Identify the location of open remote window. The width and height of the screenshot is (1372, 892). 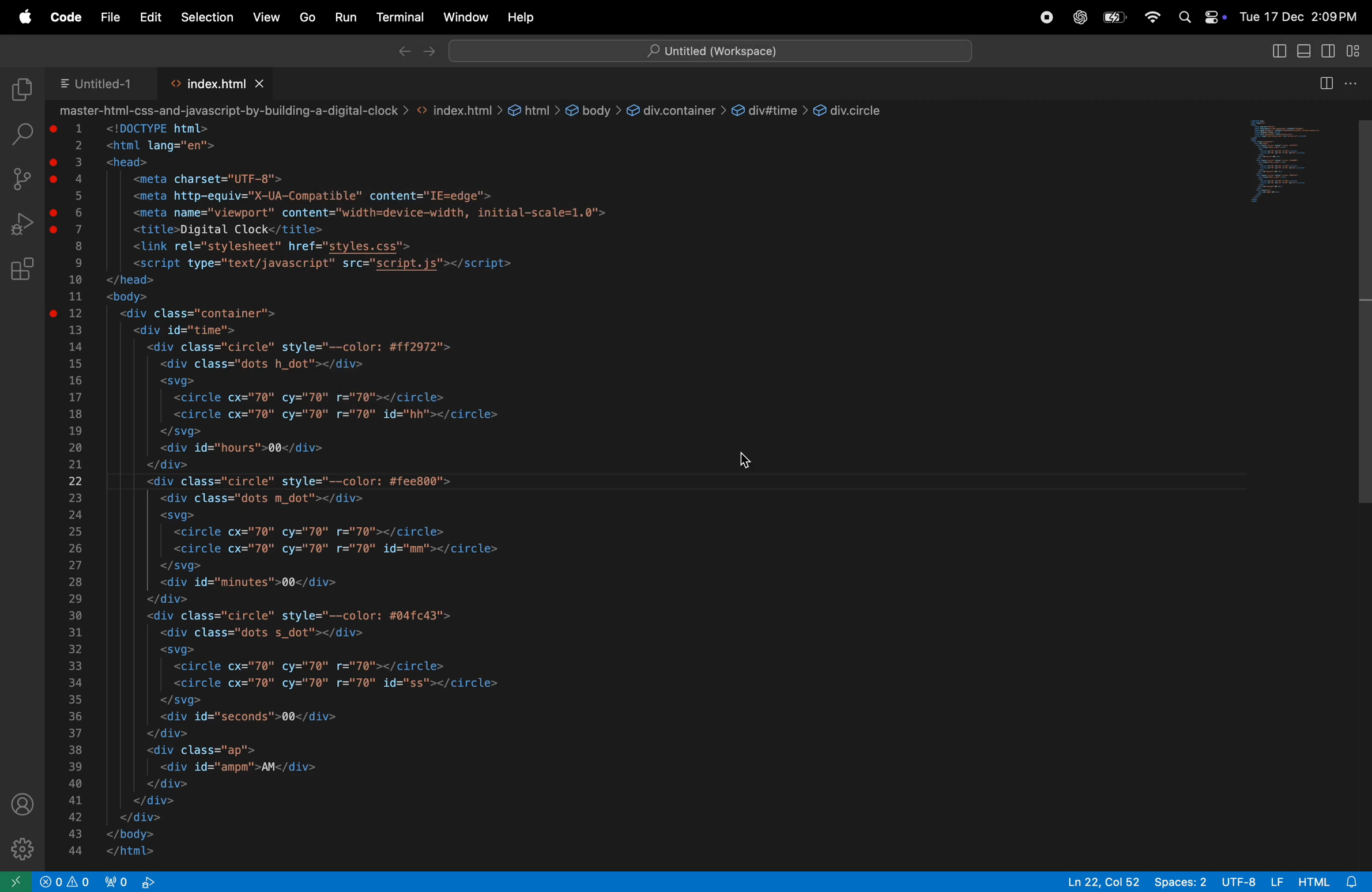
(16, 880).